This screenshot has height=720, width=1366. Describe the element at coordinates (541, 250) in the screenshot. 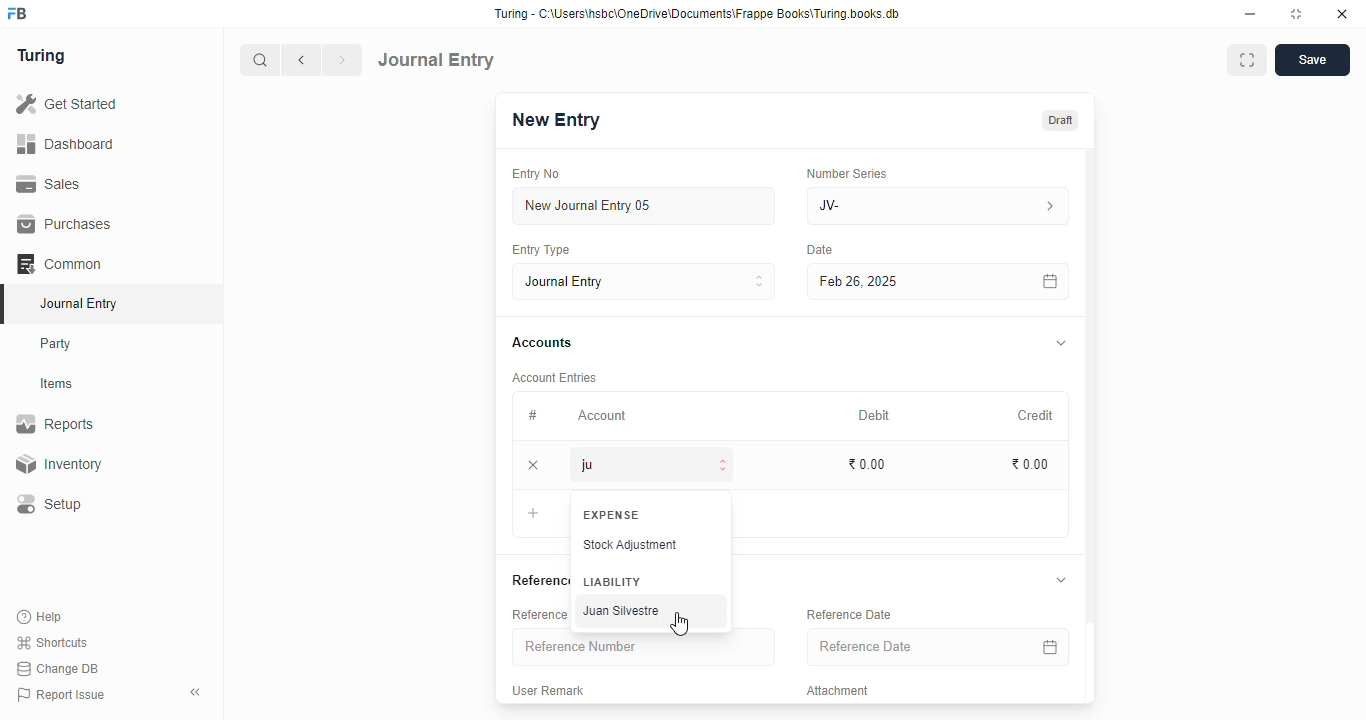

I see `entry type` at that location.